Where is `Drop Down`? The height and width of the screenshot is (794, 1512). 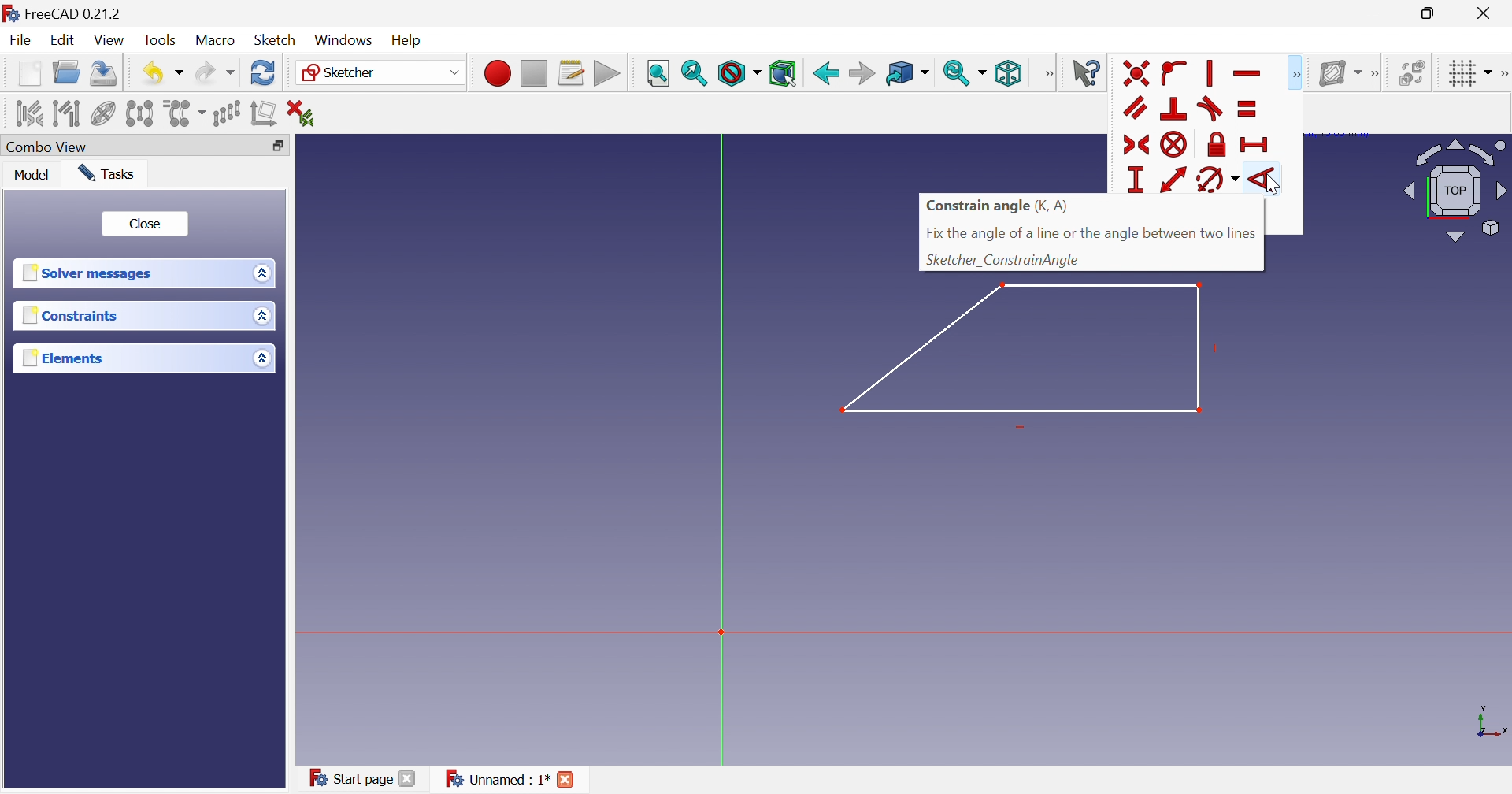
Drop Down is located at coordinates (1489, 70).